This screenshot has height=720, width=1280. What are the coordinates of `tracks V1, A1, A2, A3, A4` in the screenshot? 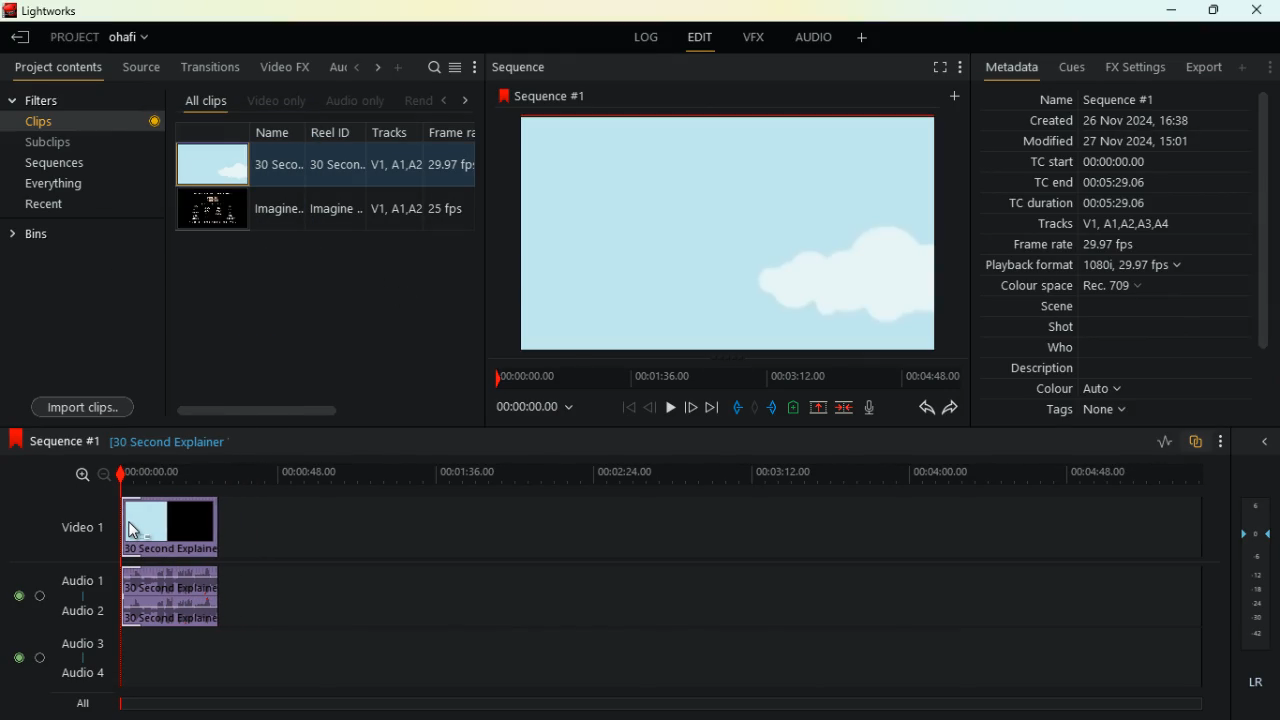 It's located at (1113, 225).